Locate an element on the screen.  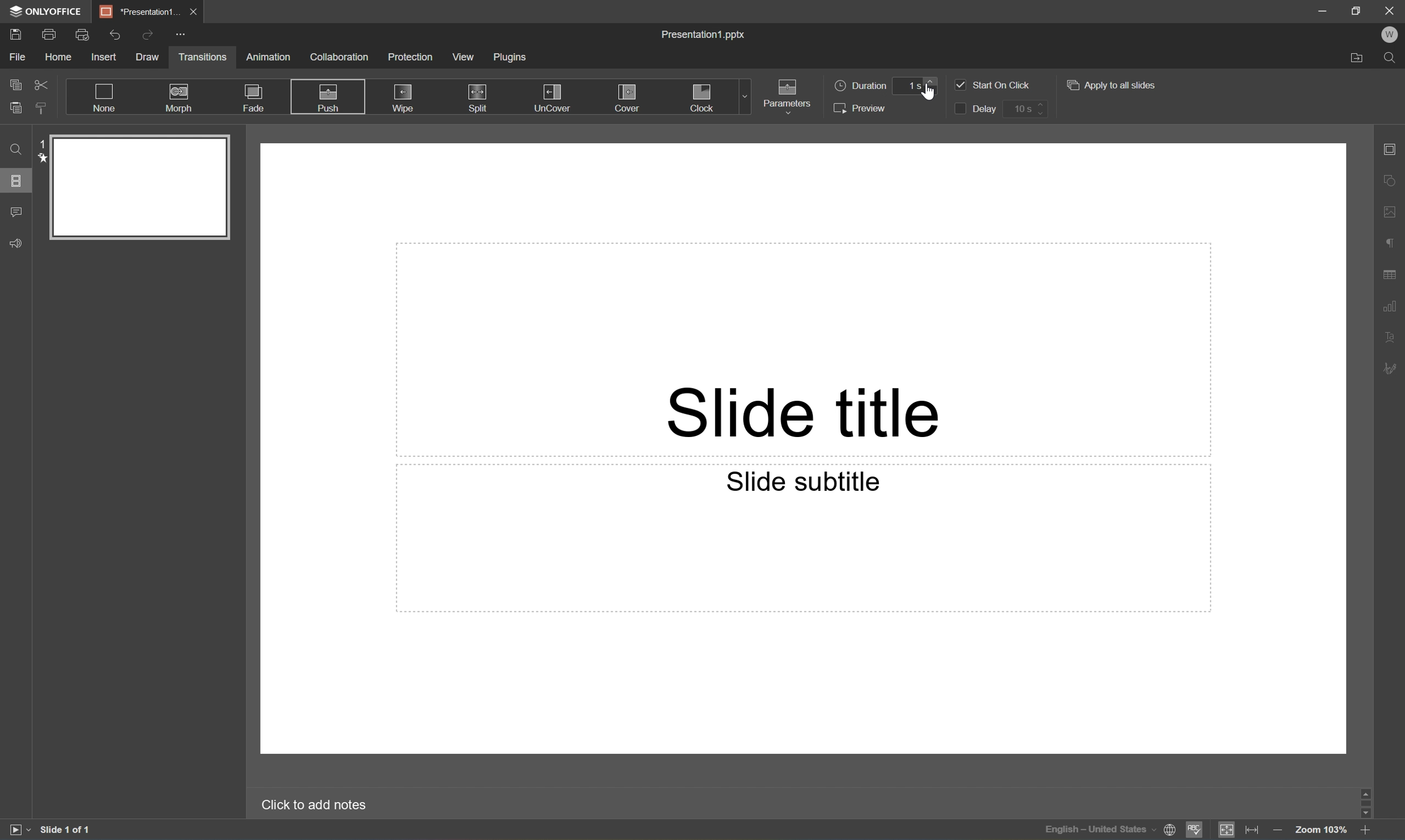
Home is located at coordinates (57, 56).